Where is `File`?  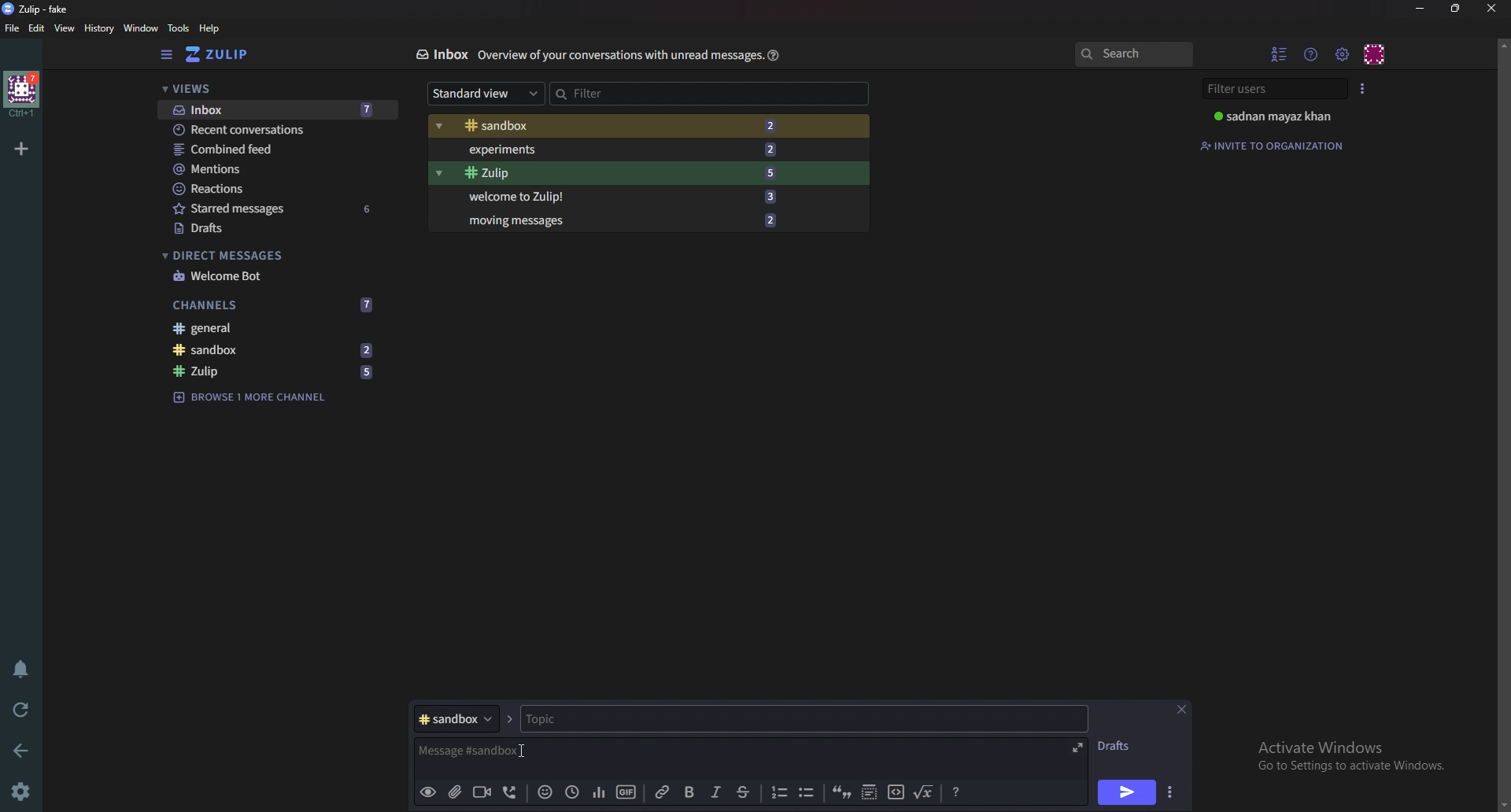
File is located at coordinates (13, 29).